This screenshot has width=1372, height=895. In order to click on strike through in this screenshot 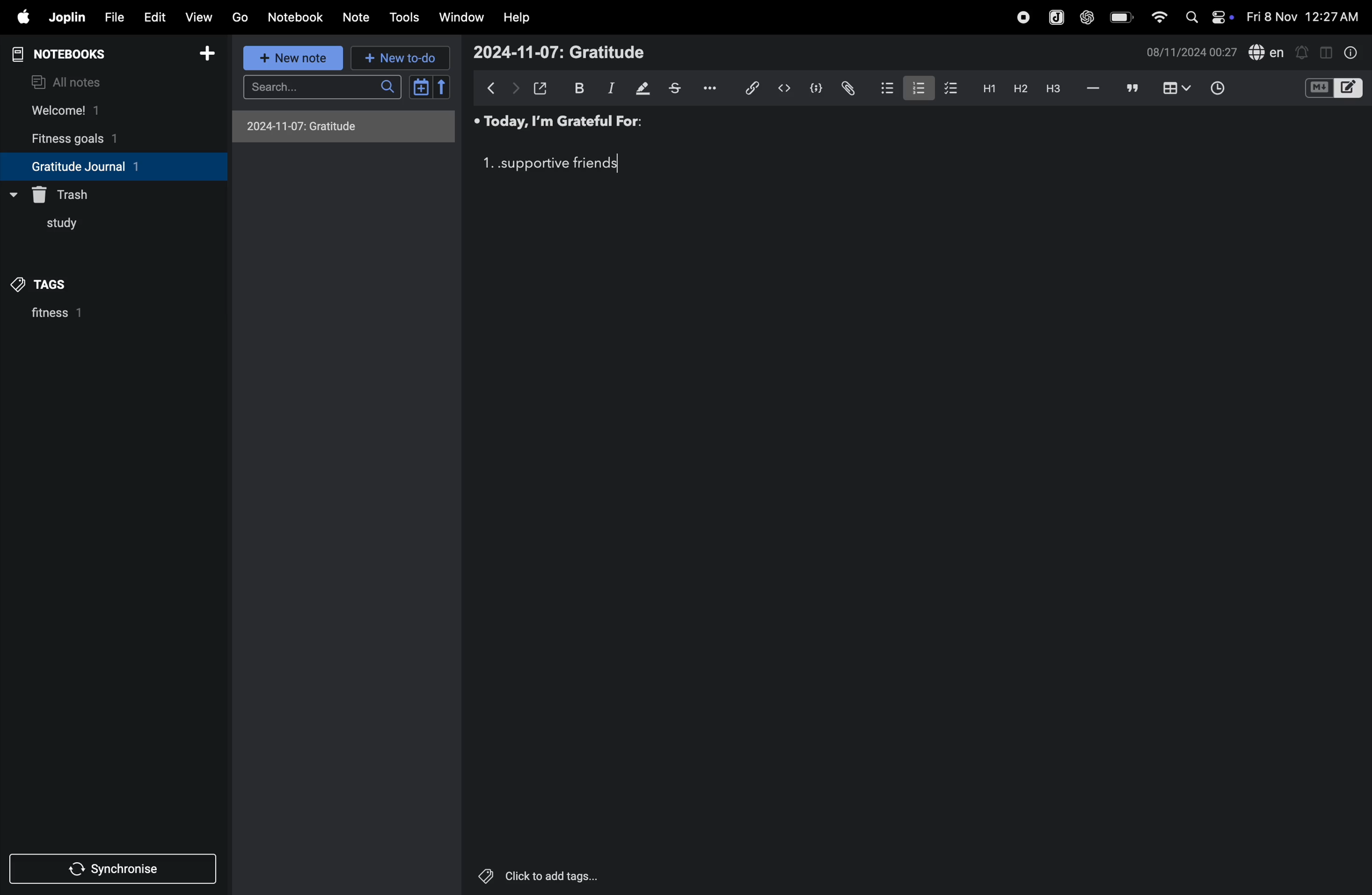, I will do `click(680, 89)`.